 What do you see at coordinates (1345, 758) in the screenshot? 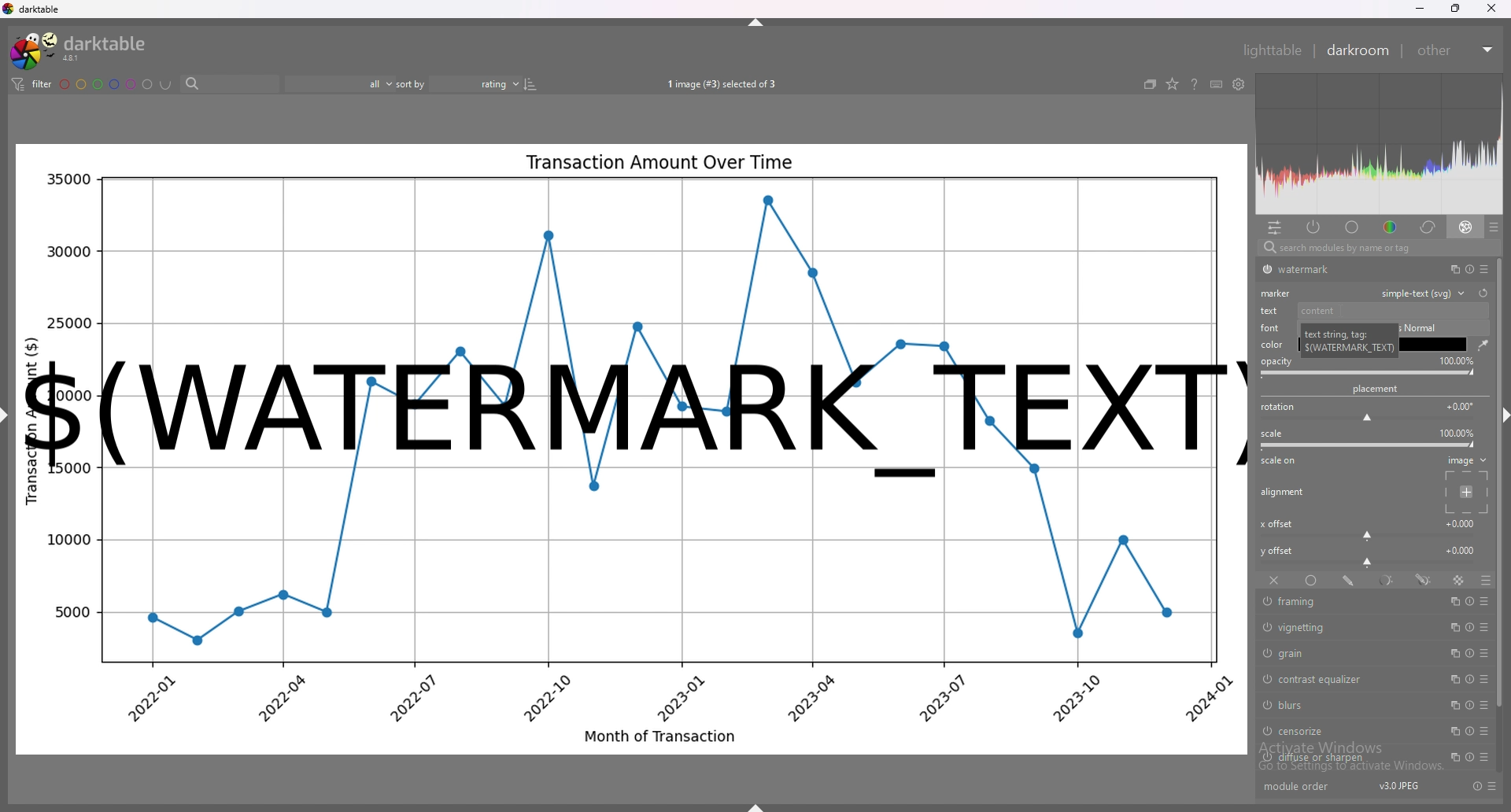
I see `diffuse or sharpen` at bounding box center [1345, 758].